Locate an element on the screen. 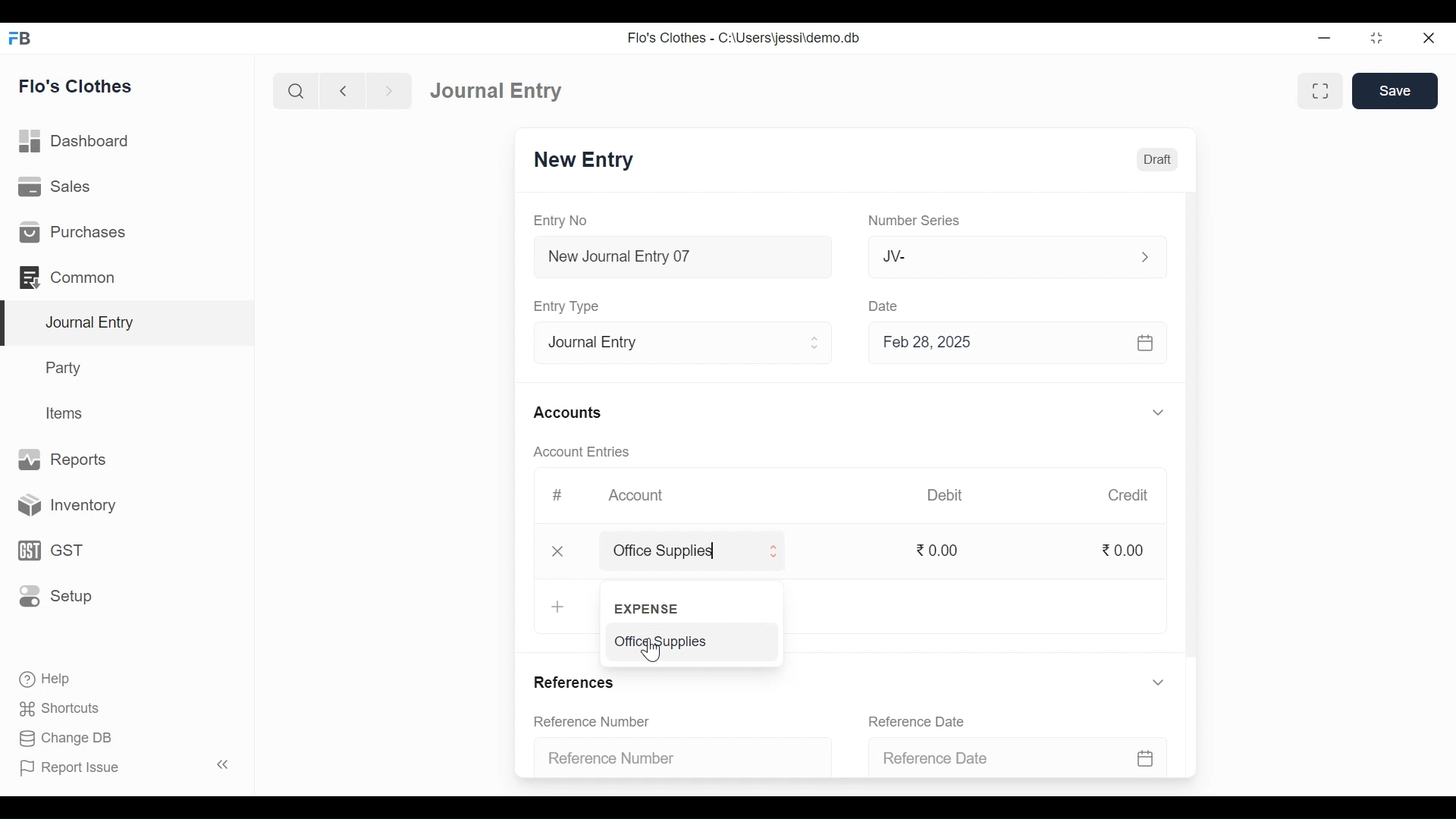  Flo's Clothes is located at coordinates (76, 86).